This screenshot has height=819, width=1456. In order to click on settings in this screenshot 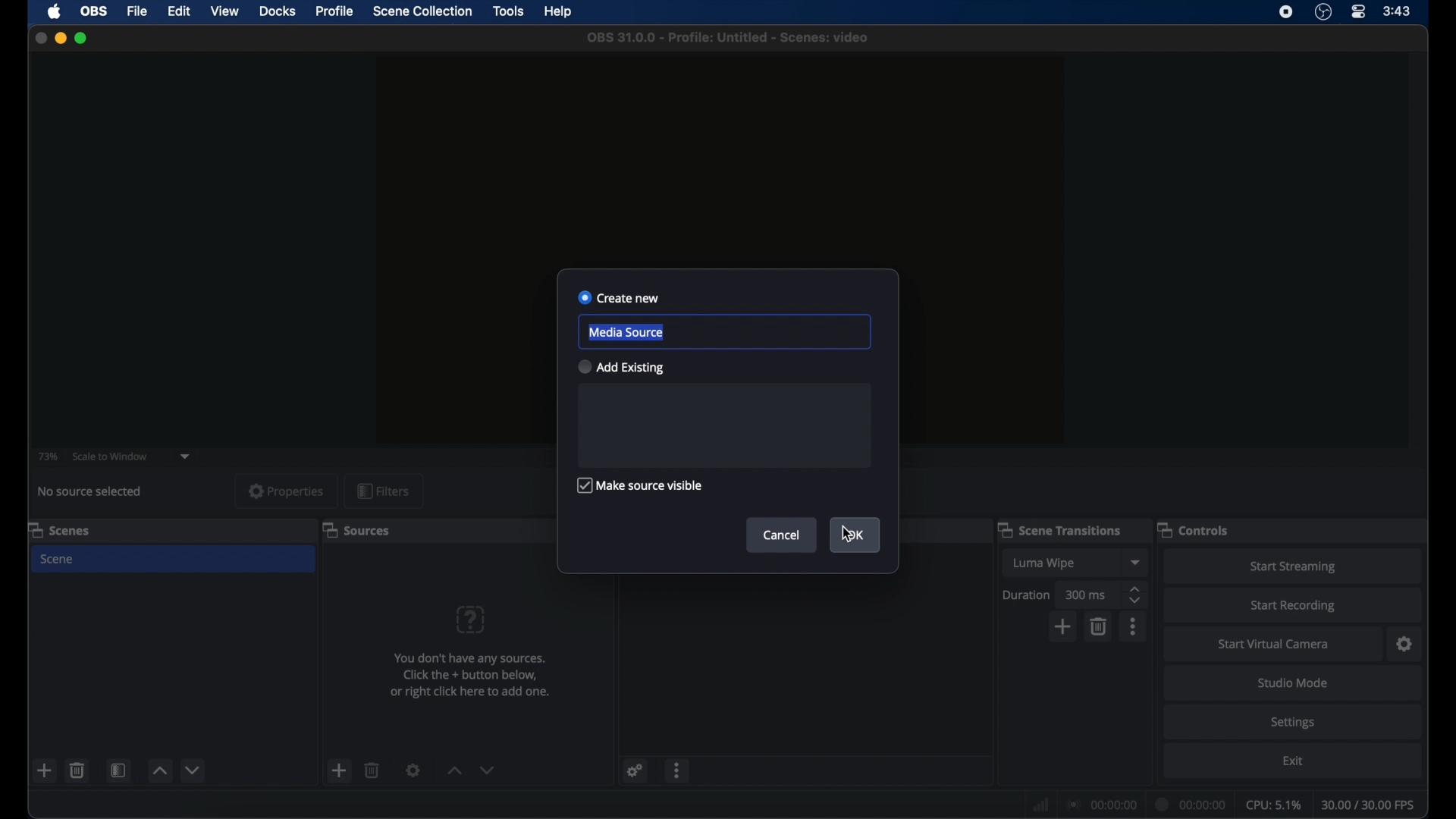, I will do `click(413, 770)`.